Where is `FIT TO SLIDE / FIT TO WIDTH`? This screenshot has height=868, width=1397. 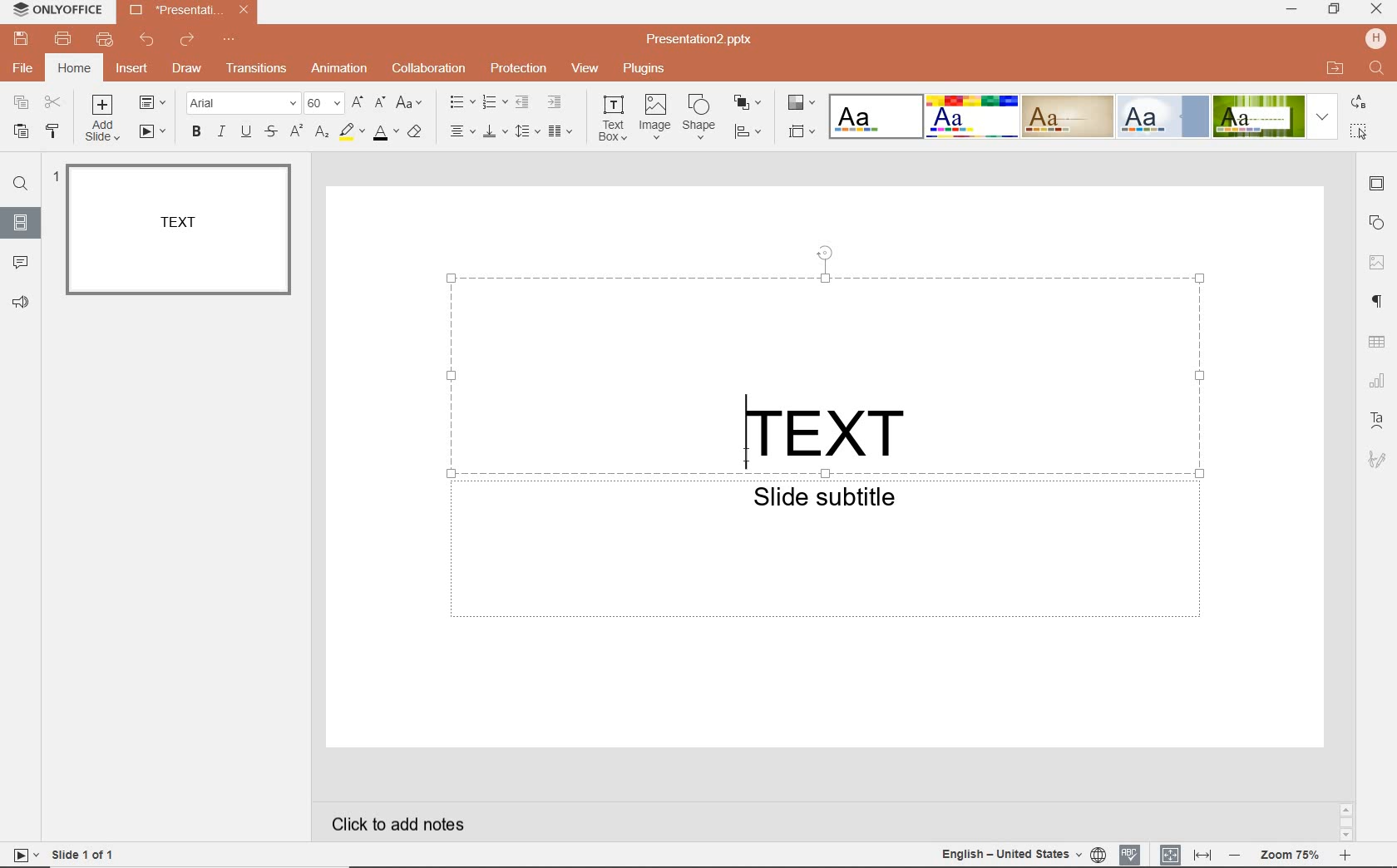 FIT TO SLIDE / FIT TO WIDTH is located at coordinates (1187, 852).